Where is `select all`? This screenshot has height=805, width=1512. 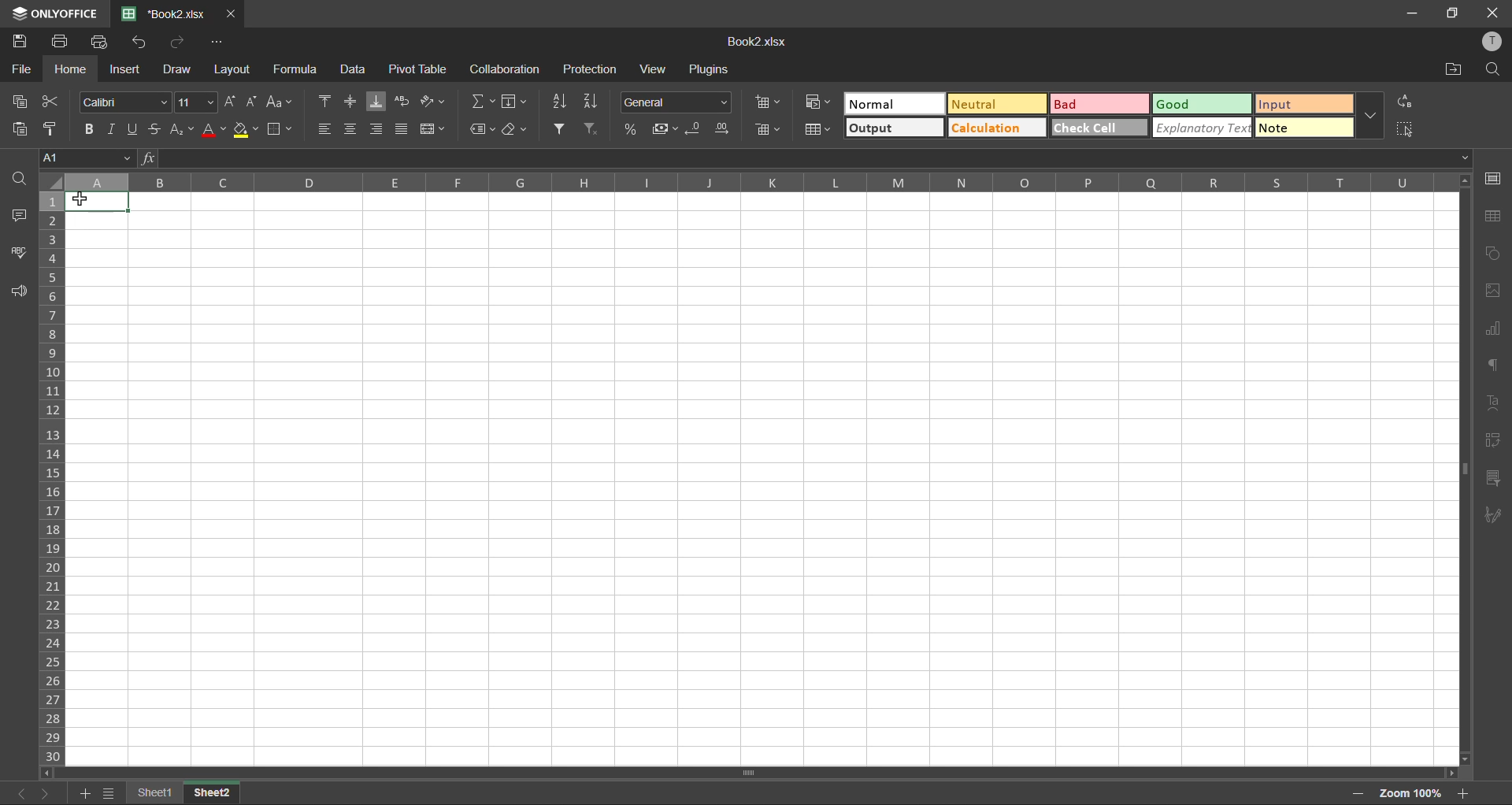 select all is located at coordinates (1406, 129).